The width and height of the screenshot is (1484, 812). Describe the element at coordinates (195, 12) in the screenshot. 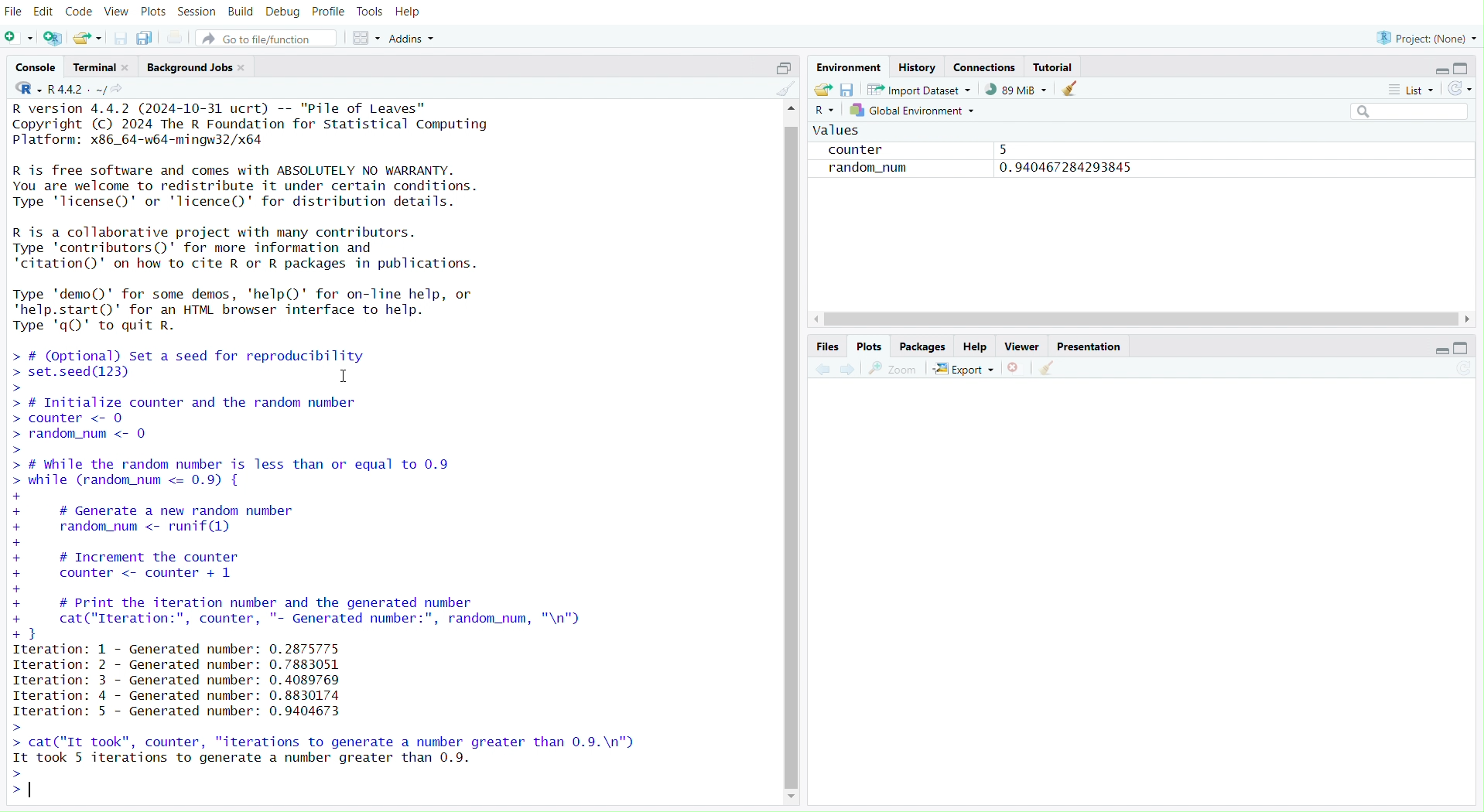

I see `Session` at that location.